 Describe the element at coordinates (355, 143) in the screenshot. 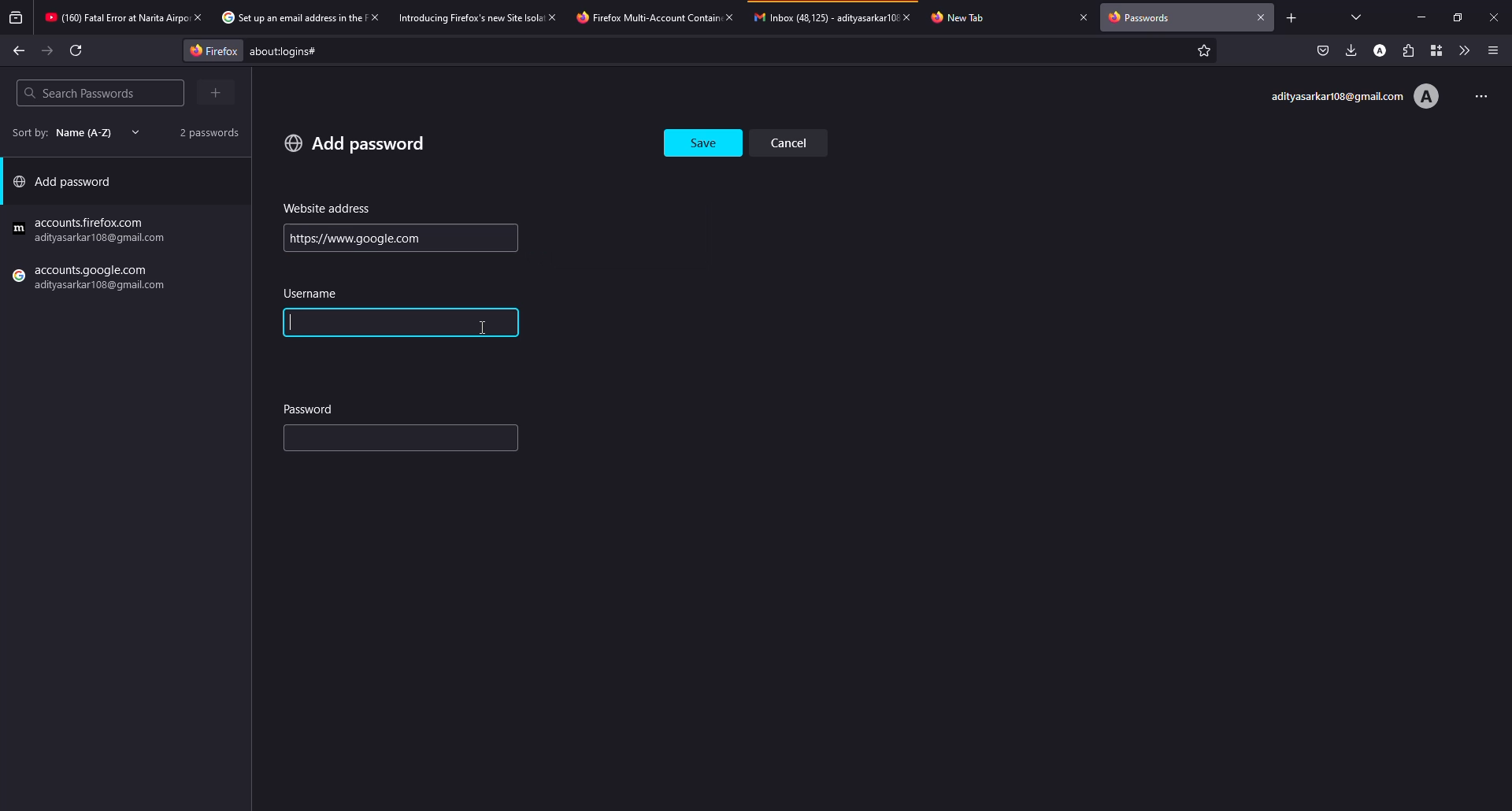

I see `add` at that location.